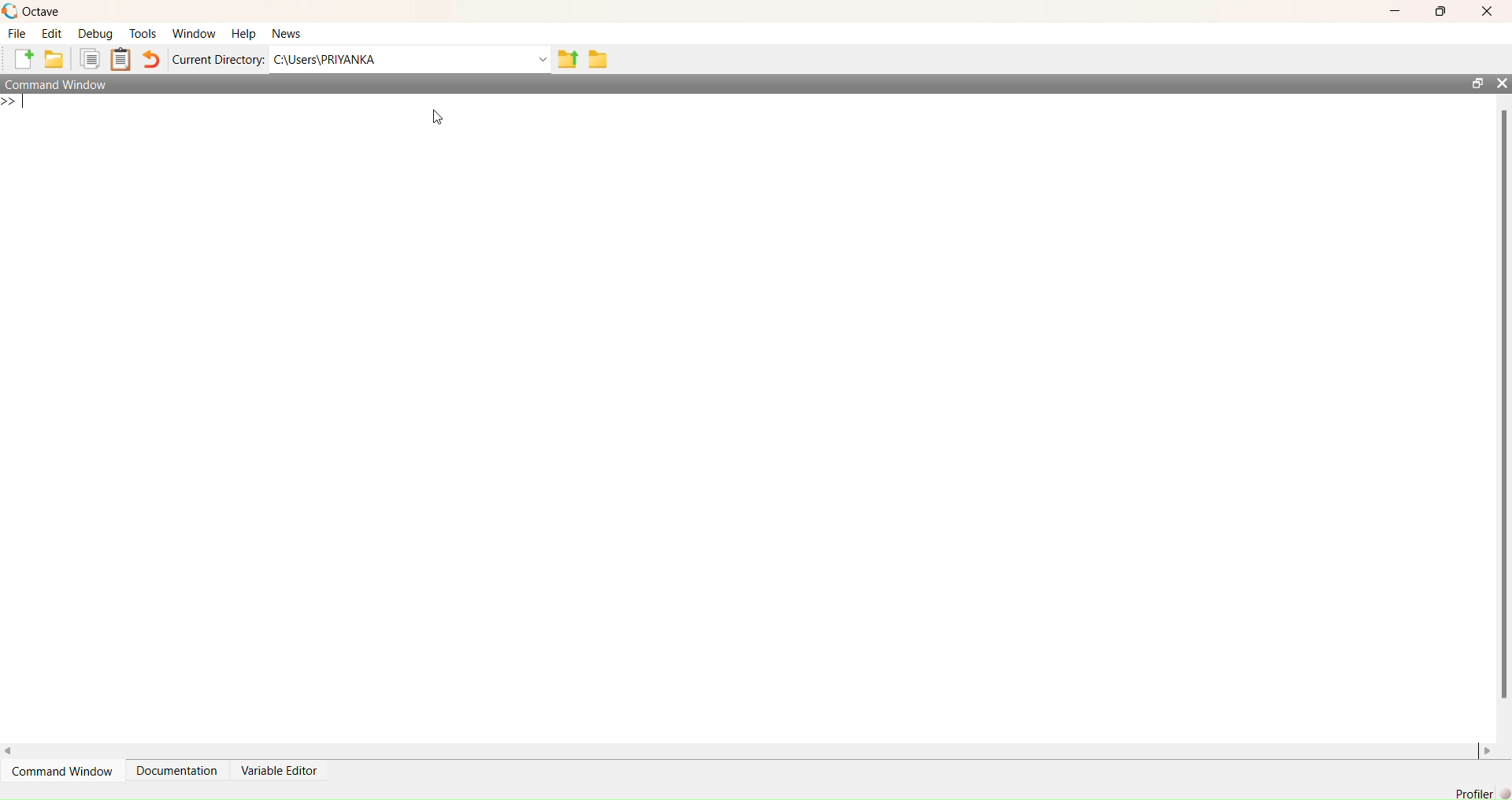 Image resolution: width=1512 pixels, height=800 pixels. Describe the element at coordinates (1483, 793) in the screenshot. I see `Profiler` at that location.